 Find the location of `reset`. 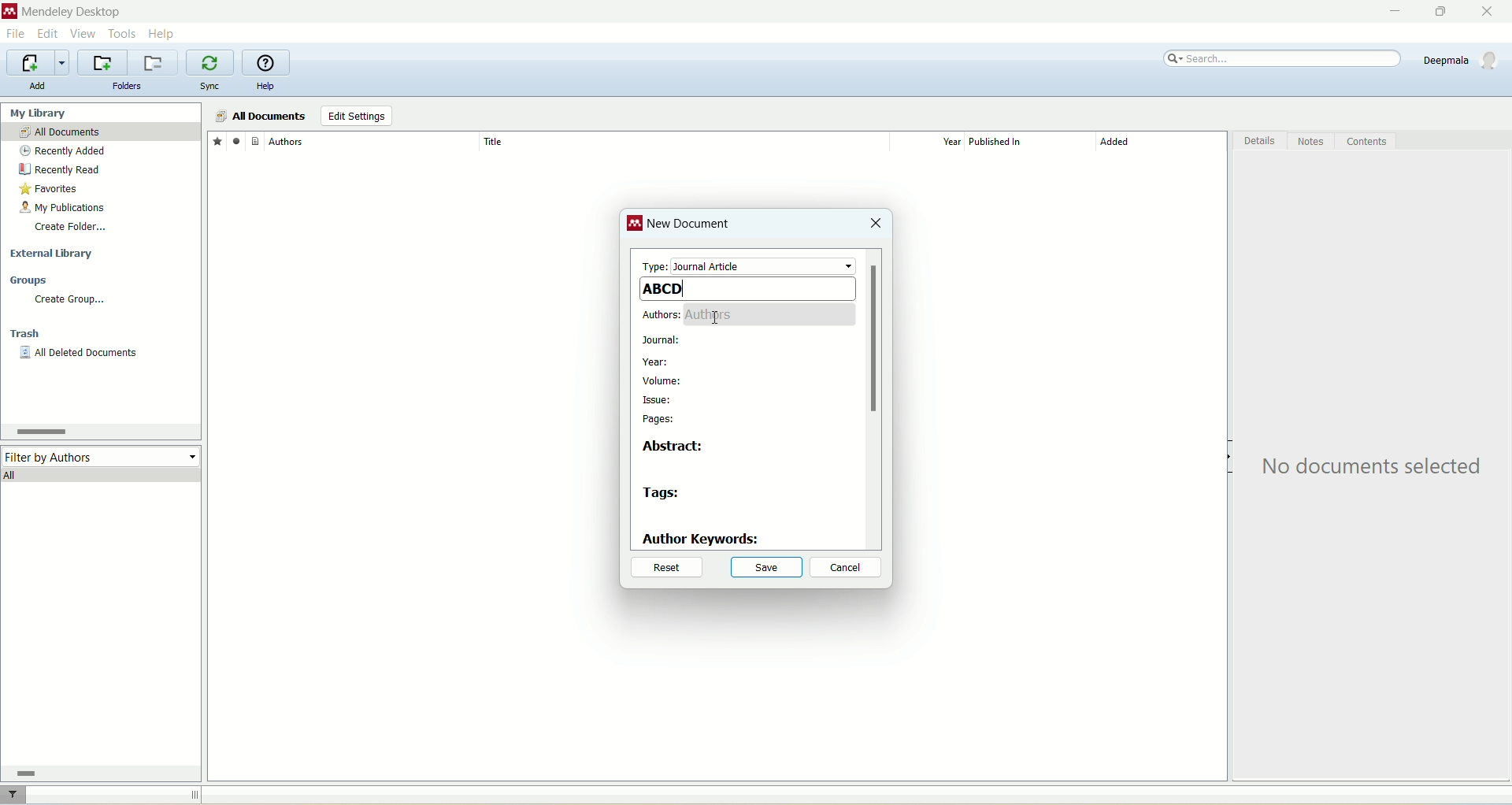

reset is located at coordinates (665, 569).